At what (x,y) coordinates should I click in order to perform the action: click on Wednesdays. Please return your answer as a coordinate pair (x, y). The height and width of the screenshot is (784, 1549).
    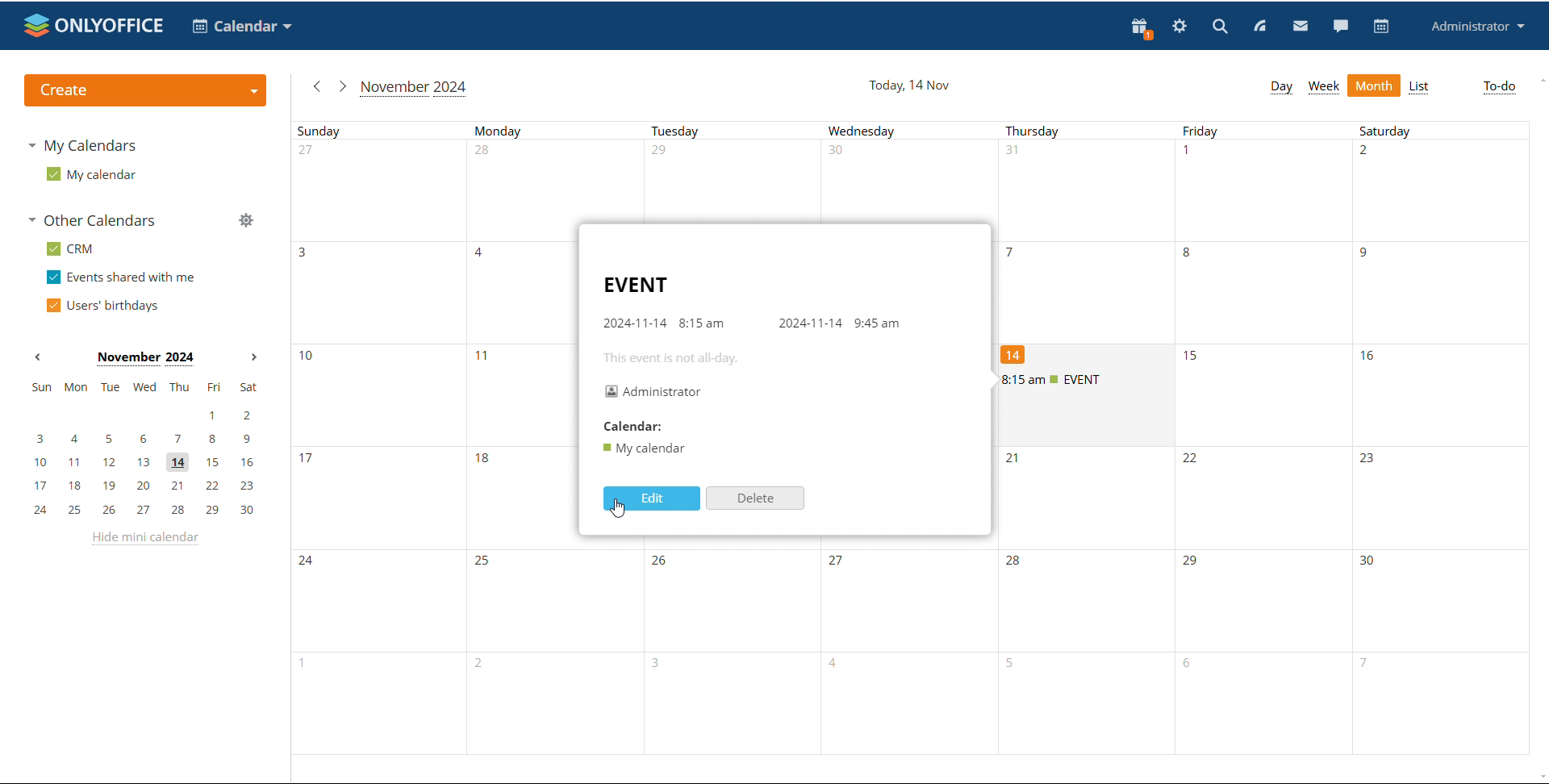
    Looking at the image, I should click on (922, 704).